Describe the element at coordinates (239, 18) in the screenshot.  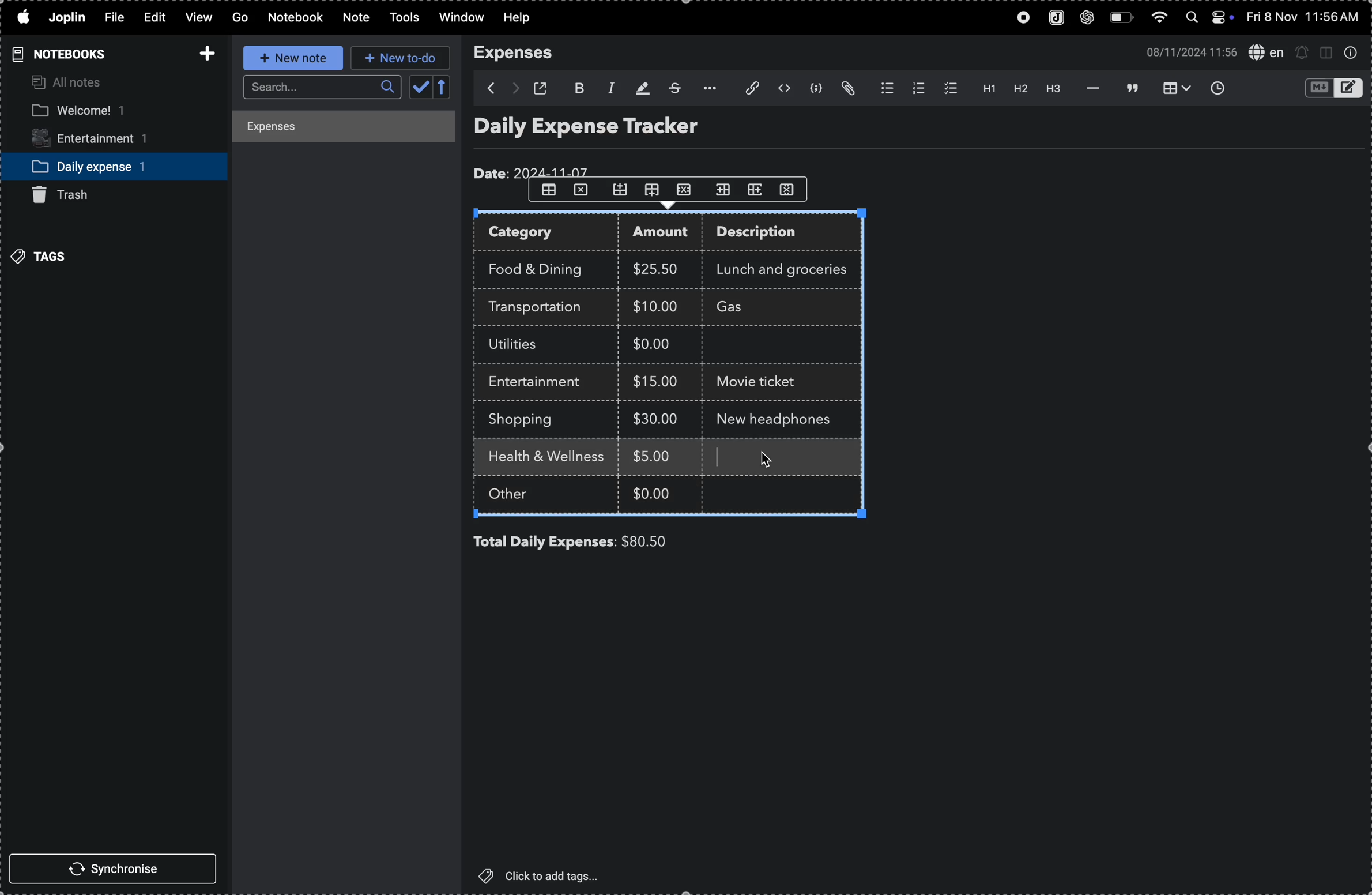
I see `go` at that location.